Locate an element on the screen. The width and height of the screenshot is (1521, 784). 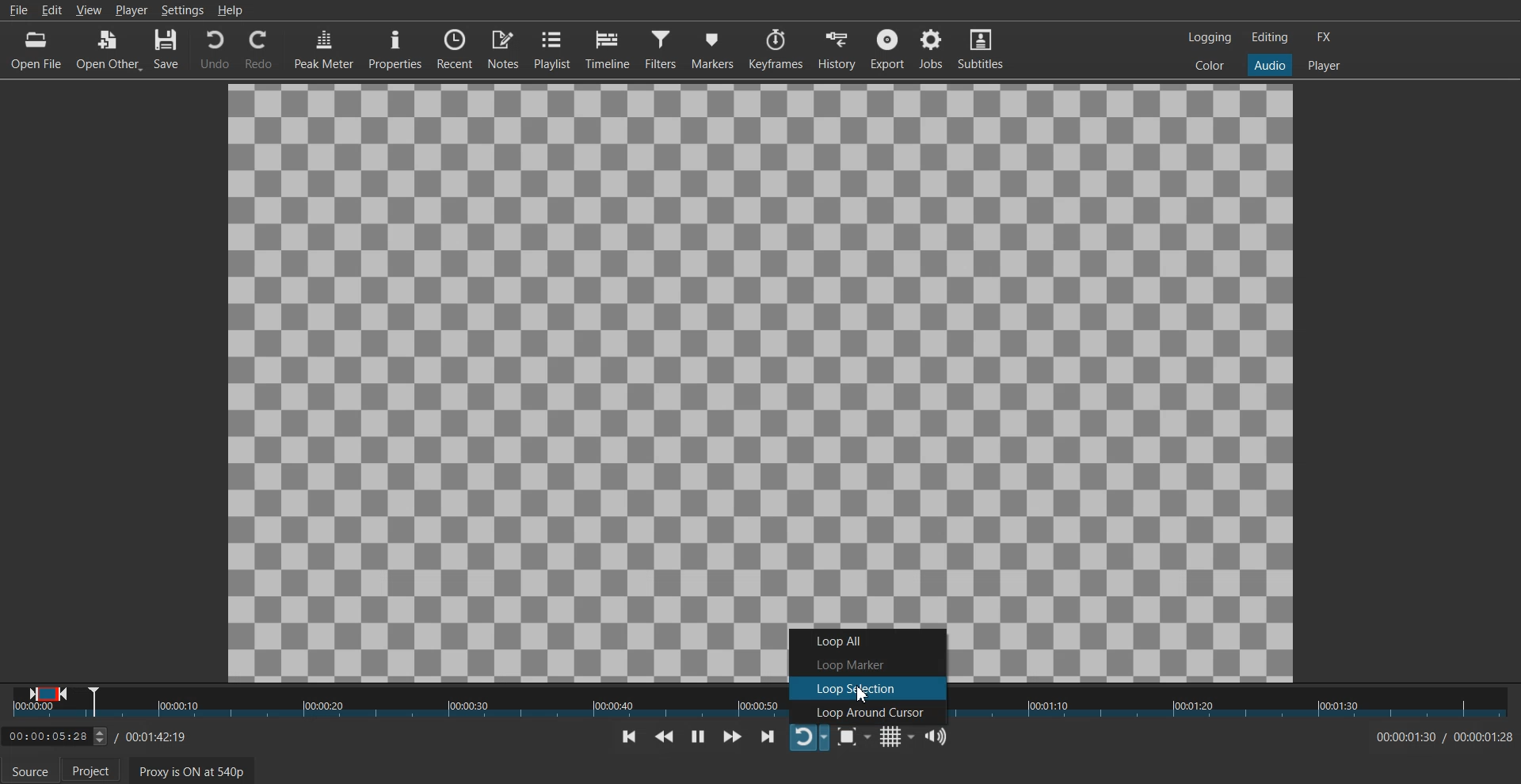
Save is located at coordinates (169, 49).